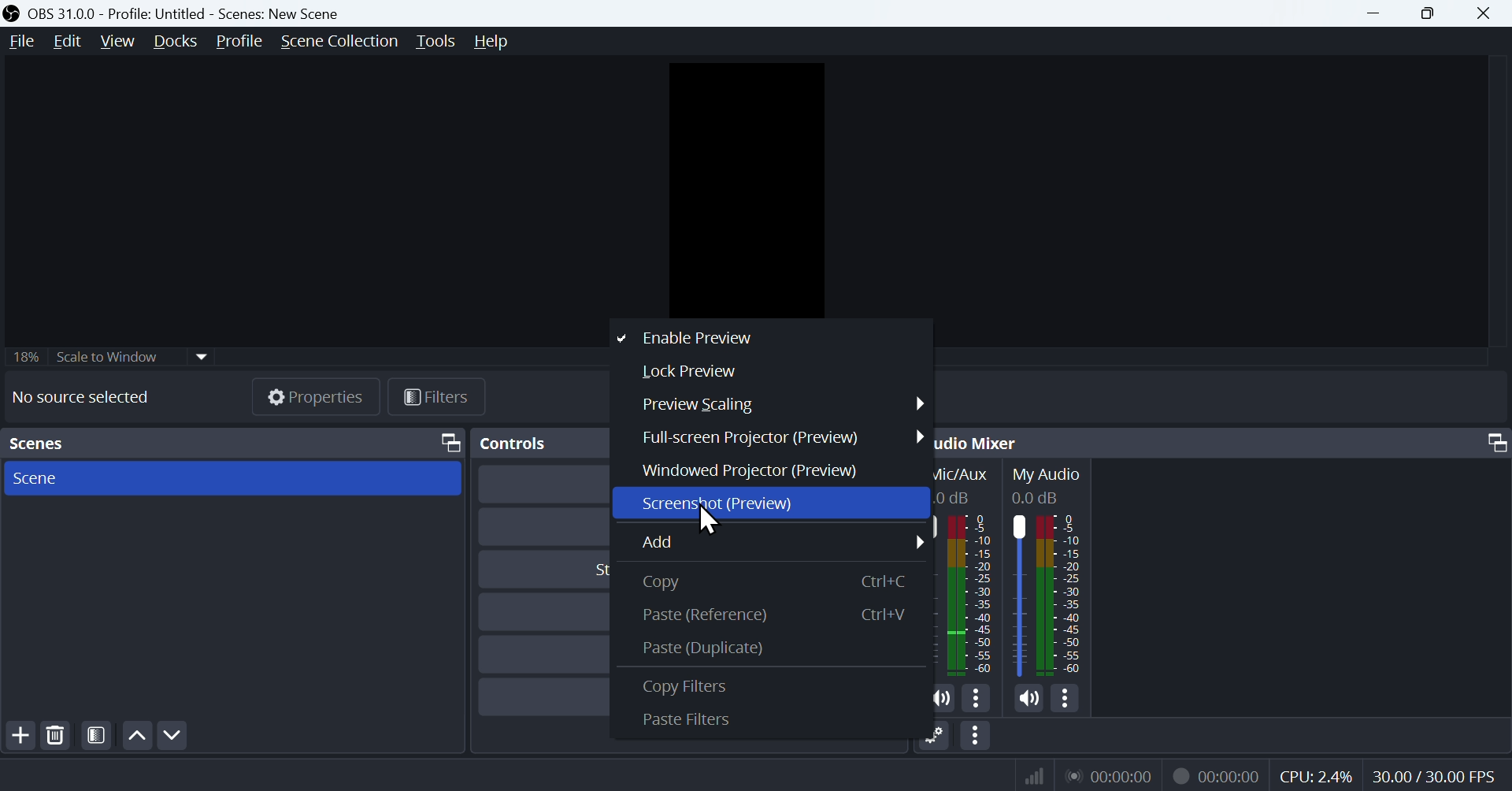  Describe the element at coordinates (969, 570) in the screenshot. I see `Mic/Aux` at that location.